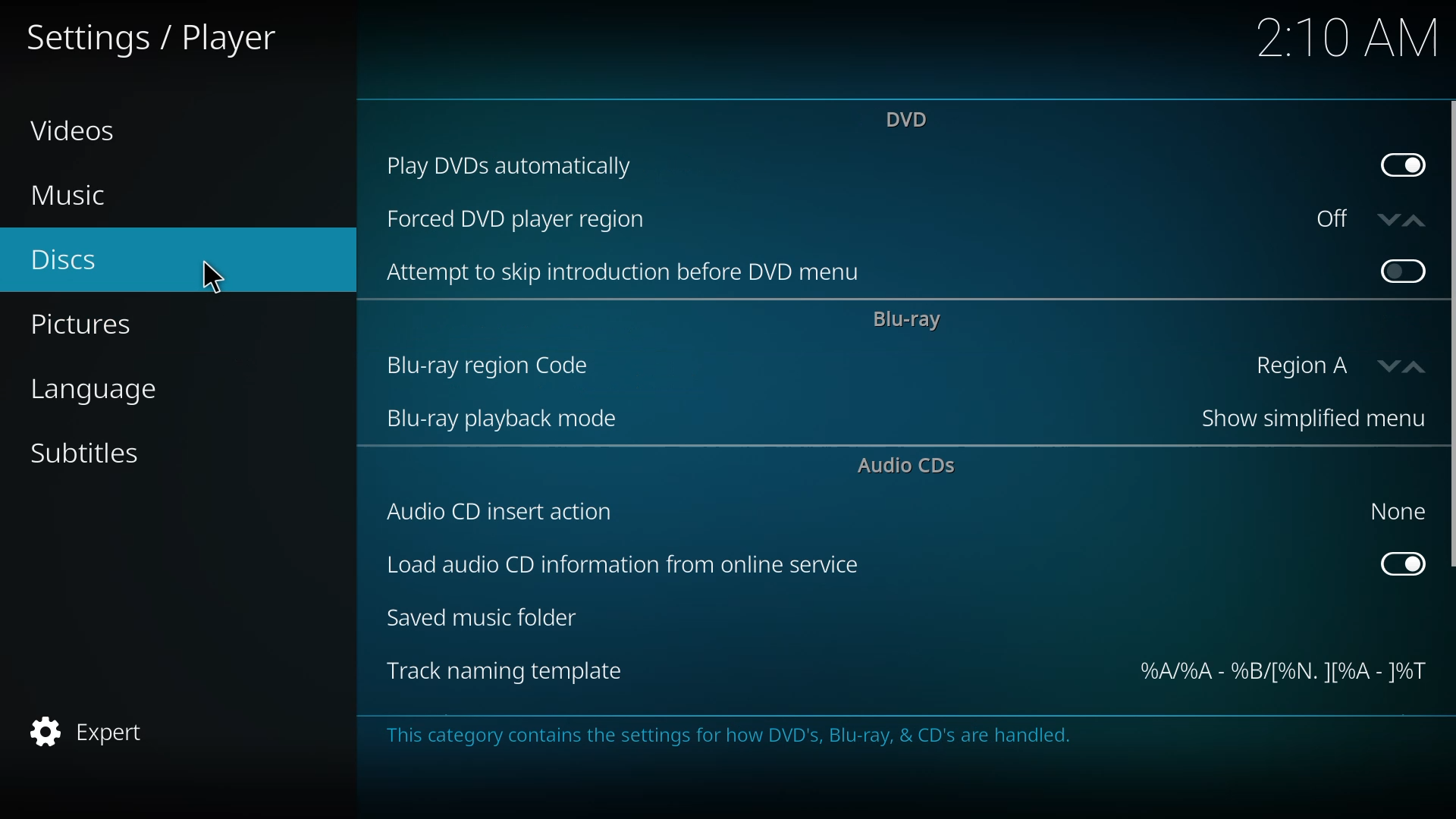 The width and height of the screenshot is (1456, 819). What do you see at coordinates (910, 466) in the screenshot?
I see `audio cds` at bounding box center [910, 466].